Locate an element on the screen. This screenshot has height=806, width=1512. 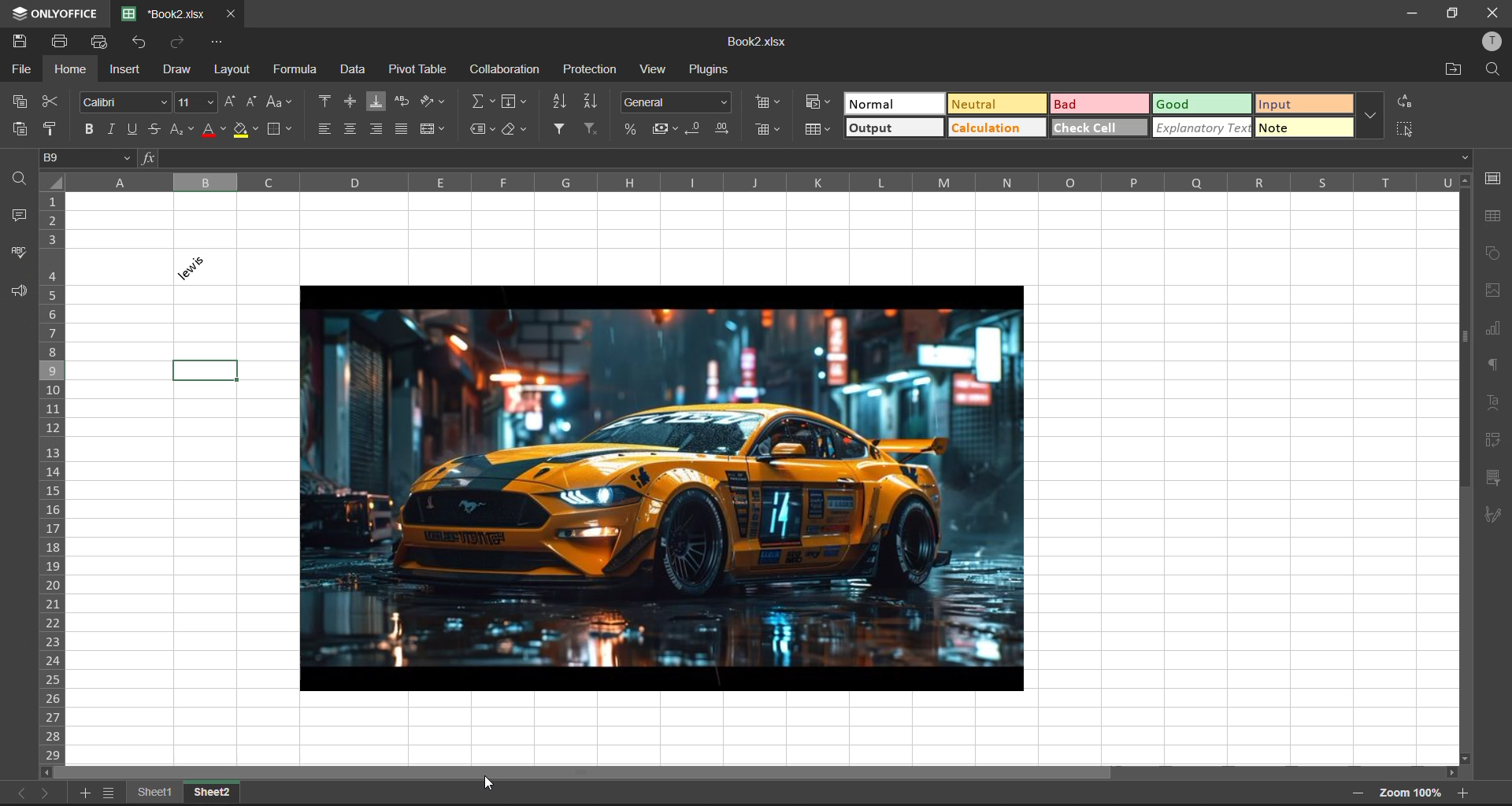
find is located at coordinates (18, 177).